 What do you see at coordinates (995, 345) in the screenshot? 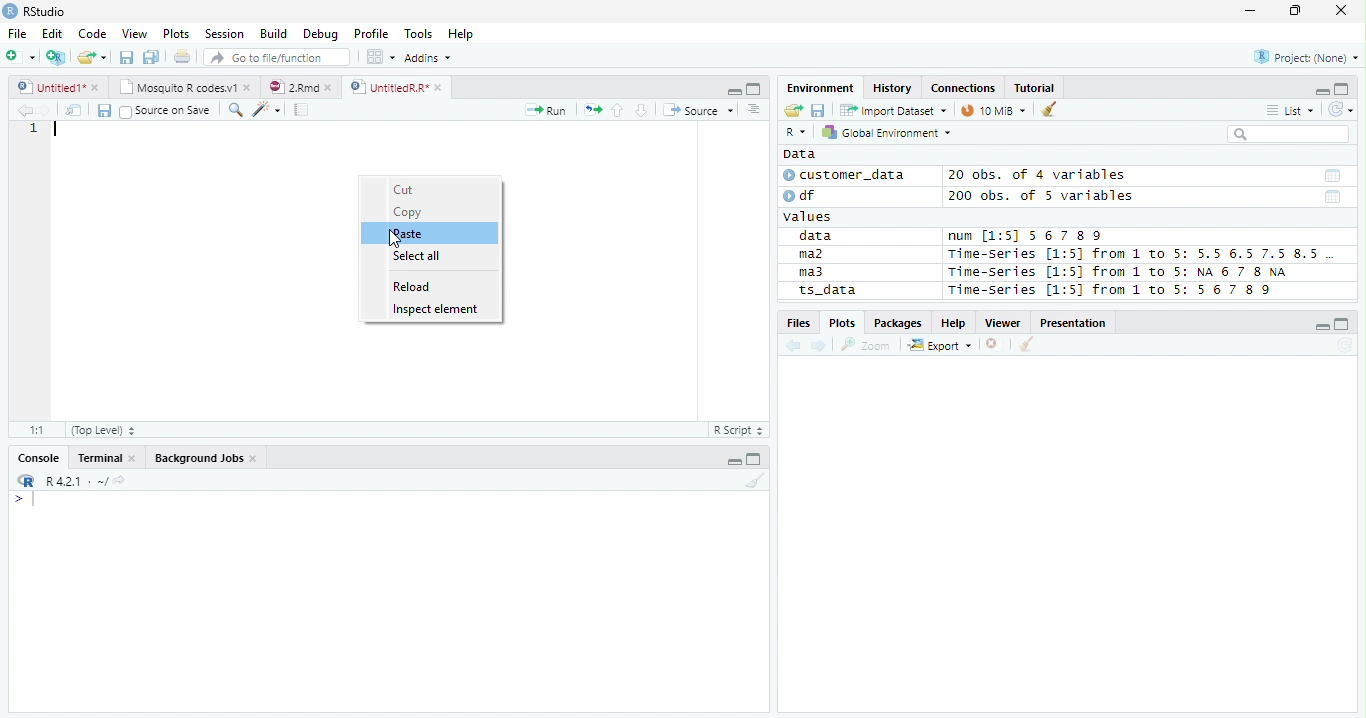
I see `Delete` at bounding box center [995, 345].